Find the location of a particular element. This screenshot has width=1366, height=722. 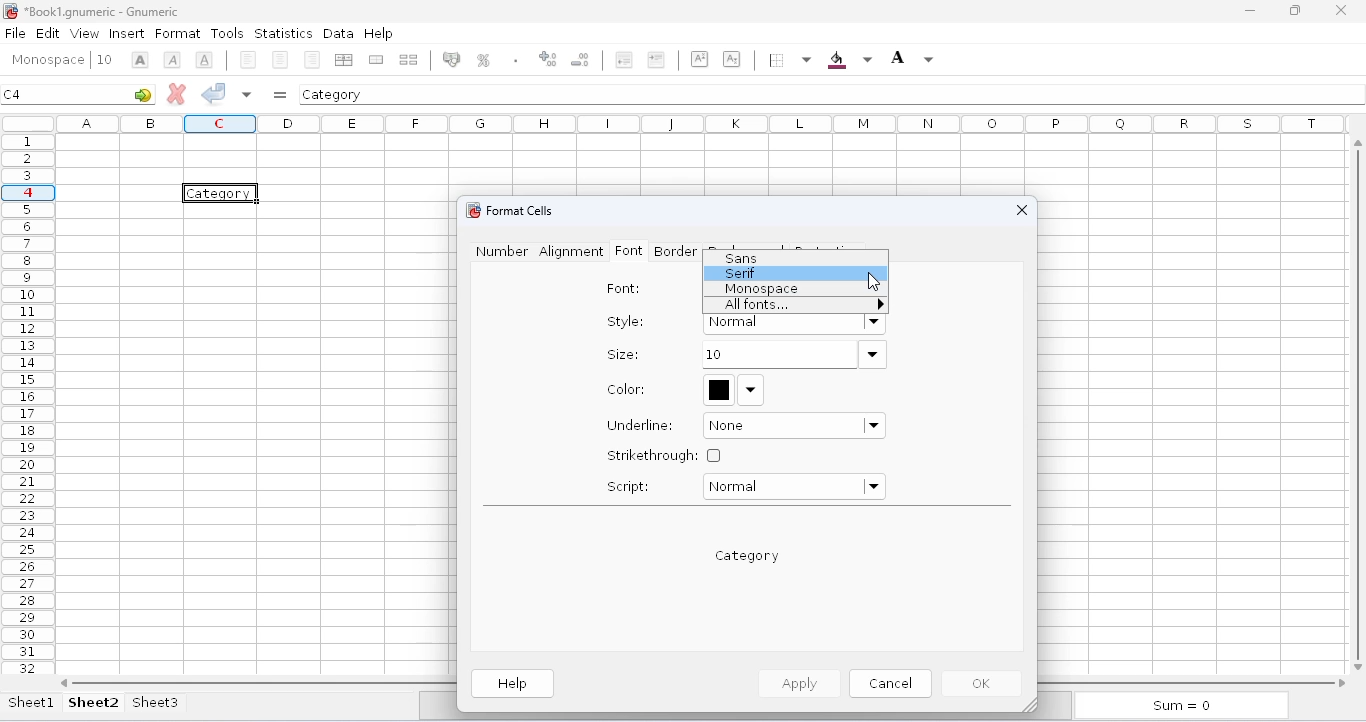

cancel change is located at coordinates (177, 93).